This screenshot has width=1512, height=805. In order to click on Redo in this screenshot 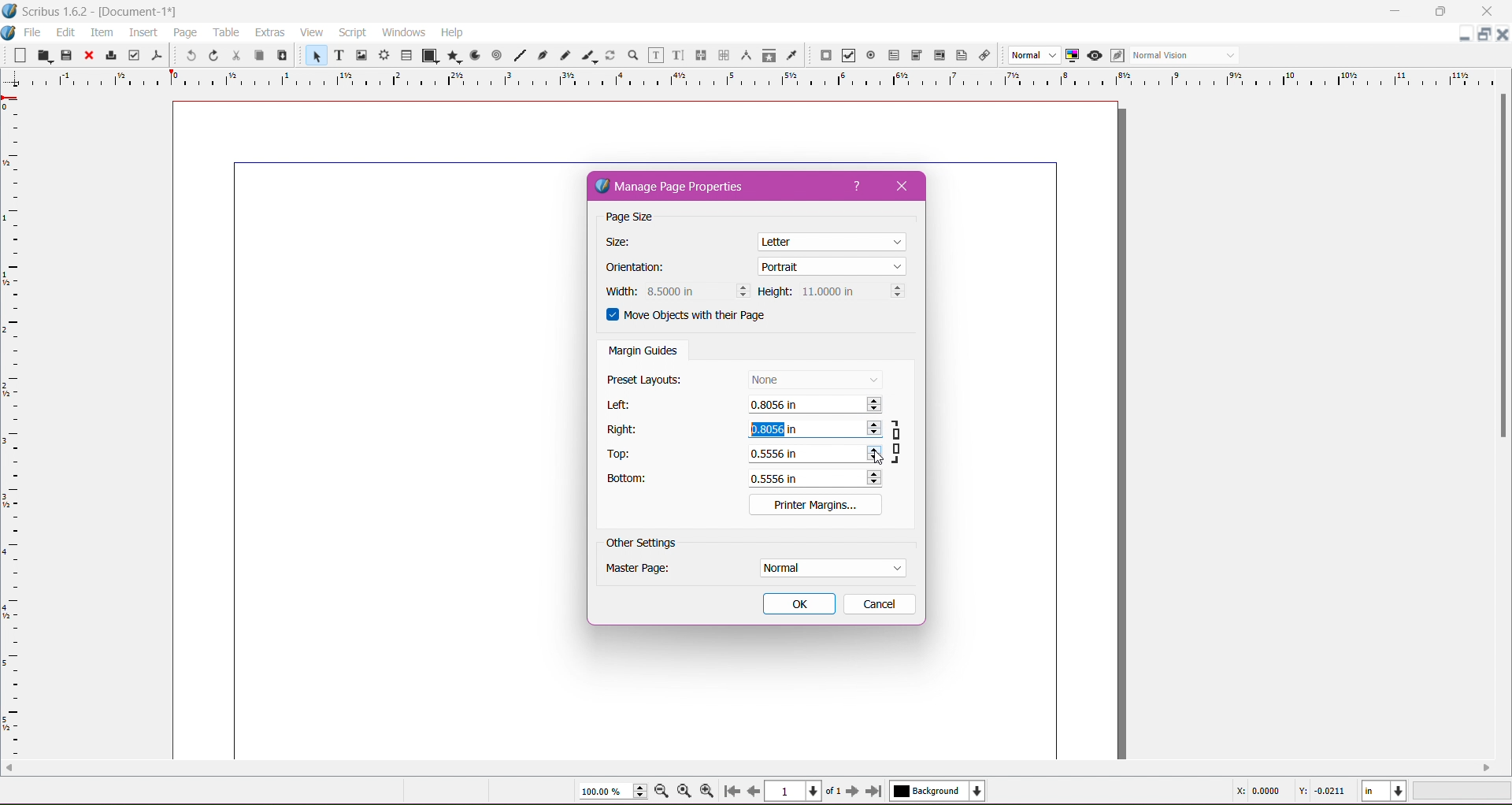, I will do `click(213, 56)`.